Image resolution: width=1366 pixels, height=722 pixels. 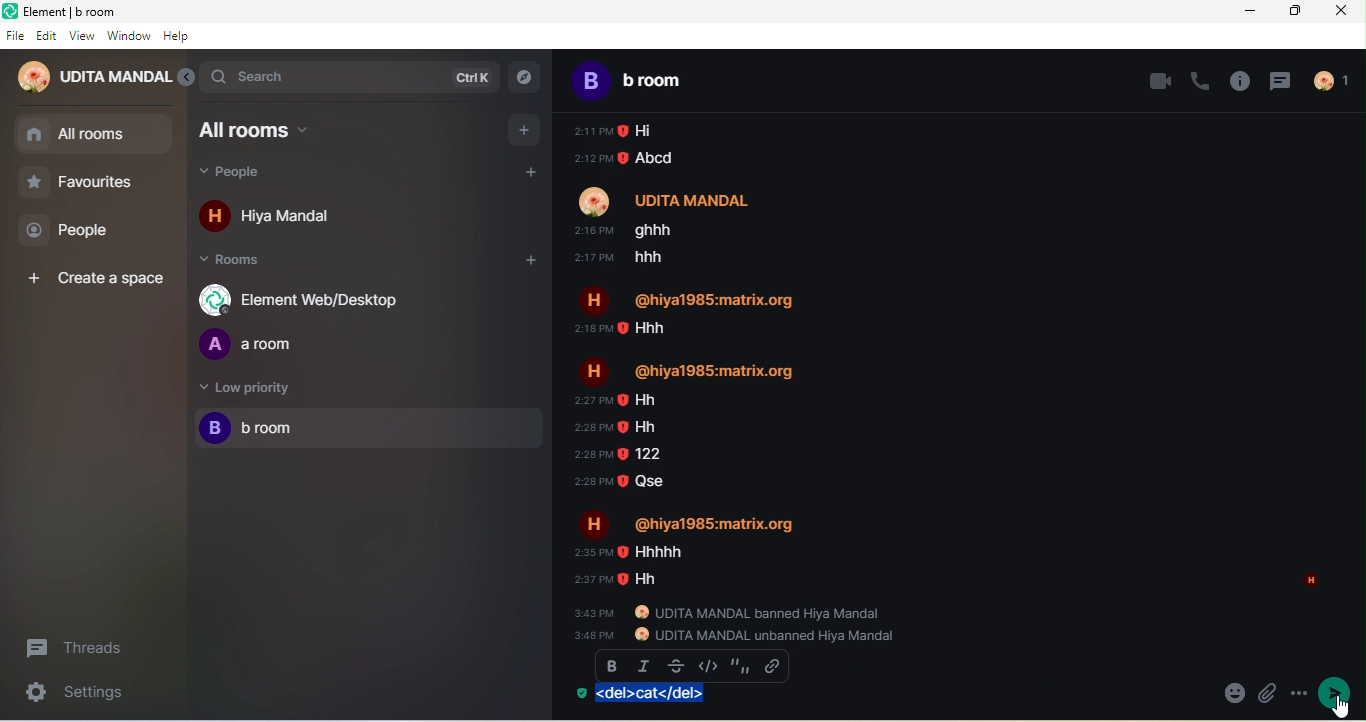 I want to click on a room, so click(x=257, y=345).